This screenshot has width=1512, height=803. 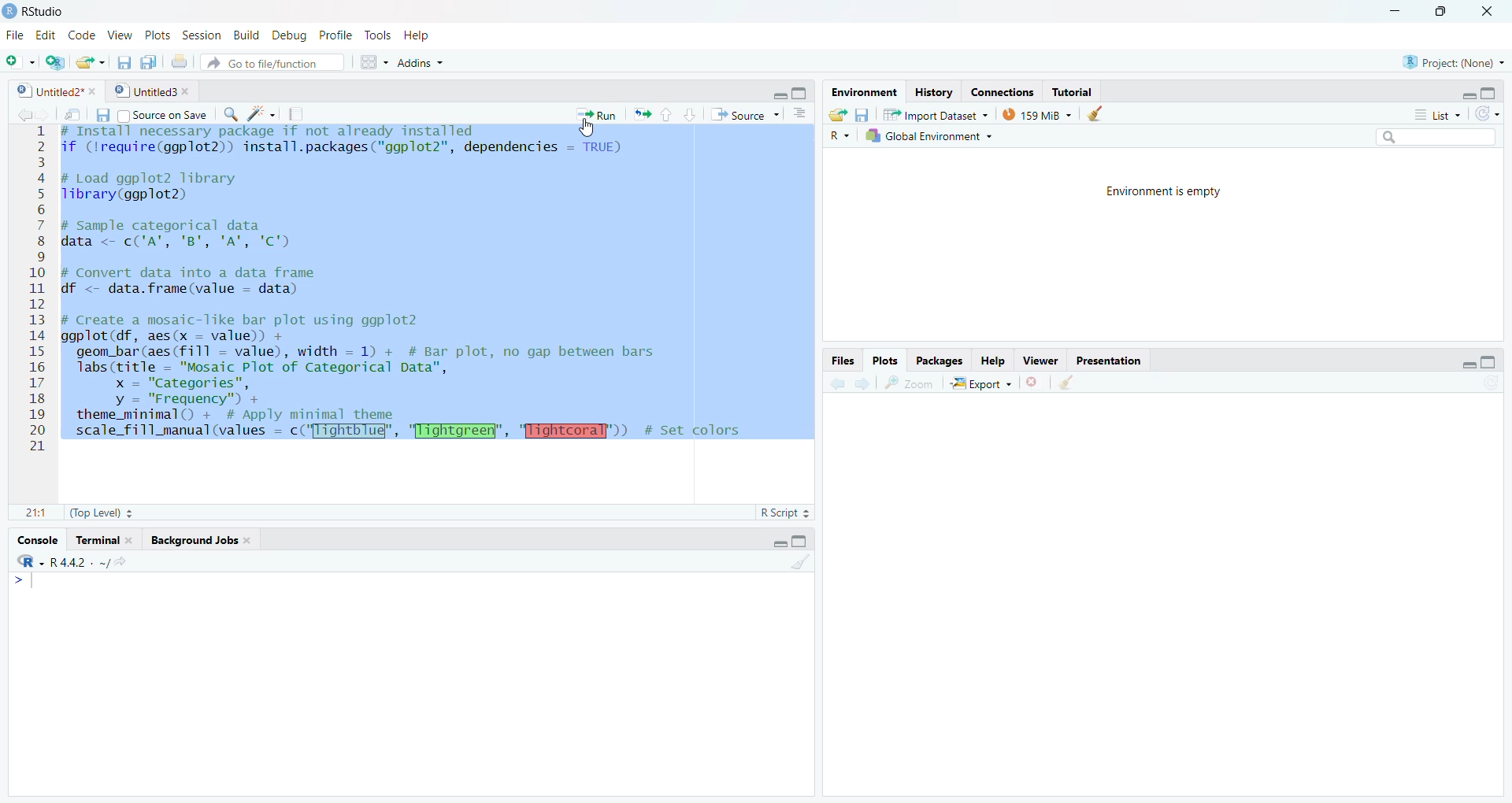 I want to click on Console, so click(x=37, y=539).